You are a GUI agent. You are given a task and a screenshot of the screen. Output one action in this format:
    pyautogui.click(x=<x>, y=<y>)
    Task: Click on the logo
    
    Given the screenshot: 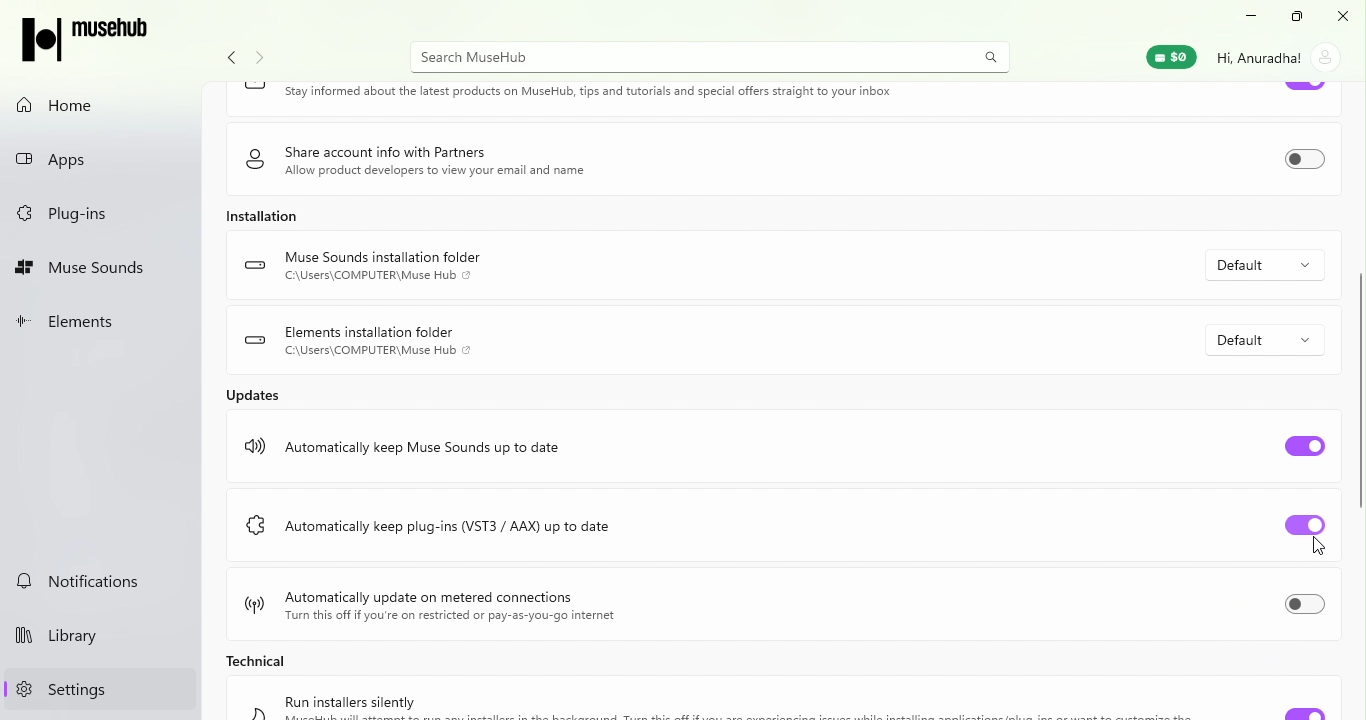 What is the action you would take?
    pyautogui.click(x=255, y=158)
    